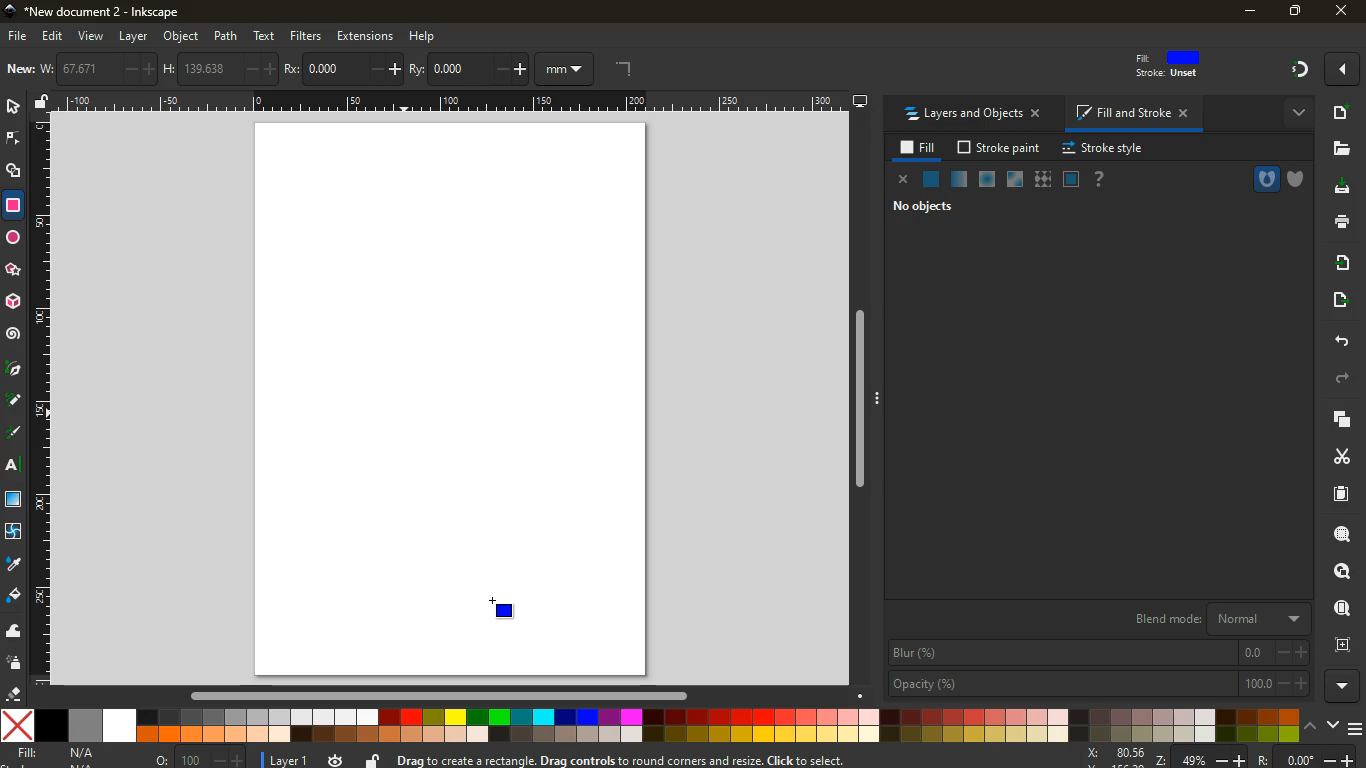  What do you see at coordinates (15, 533) in the screenshot?
I see `twist` at bounding box center [15, 533].